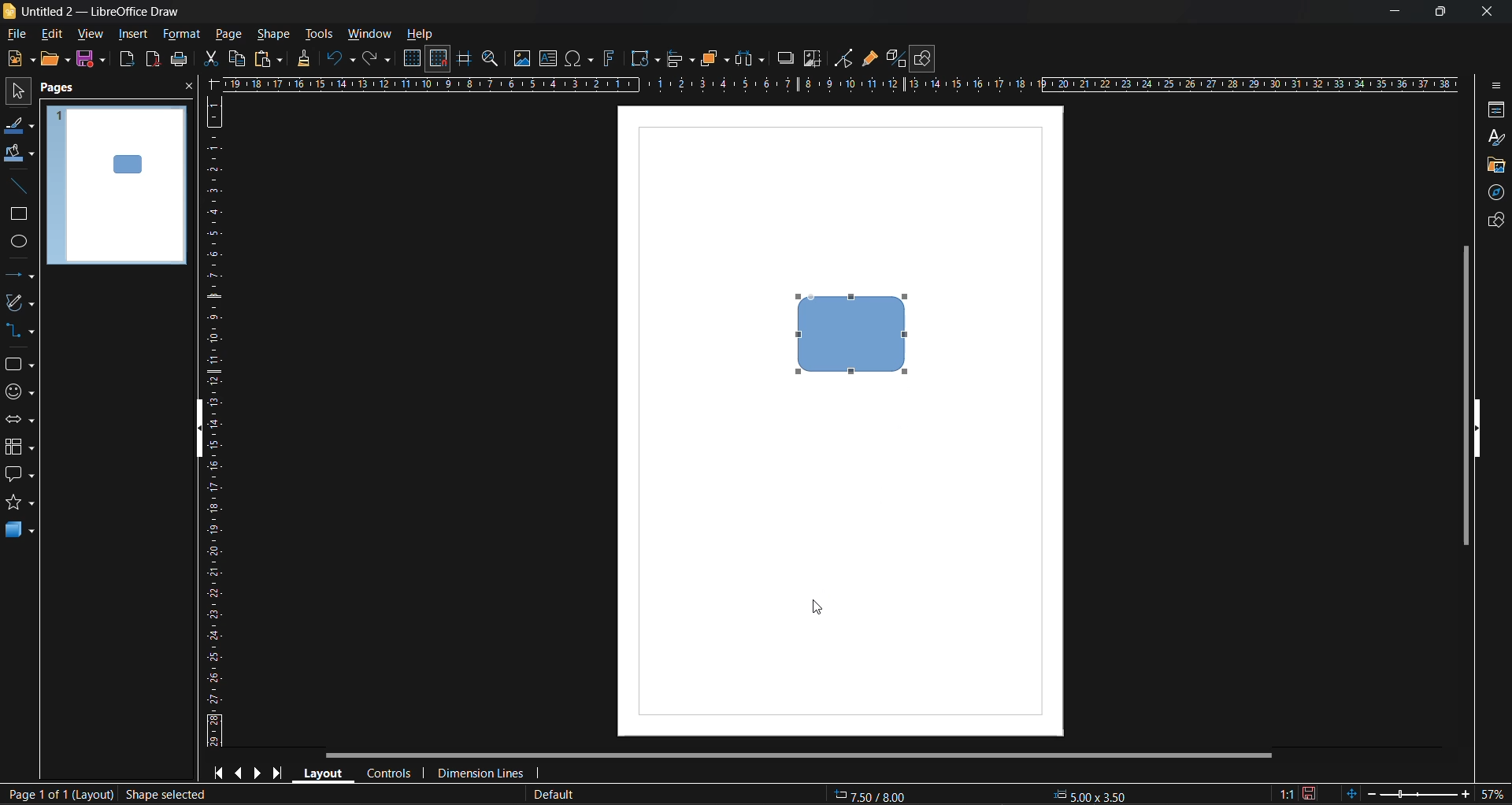  Describe the element at coordinates (492, 61) in the screenshot. I see `zoom` at that location.